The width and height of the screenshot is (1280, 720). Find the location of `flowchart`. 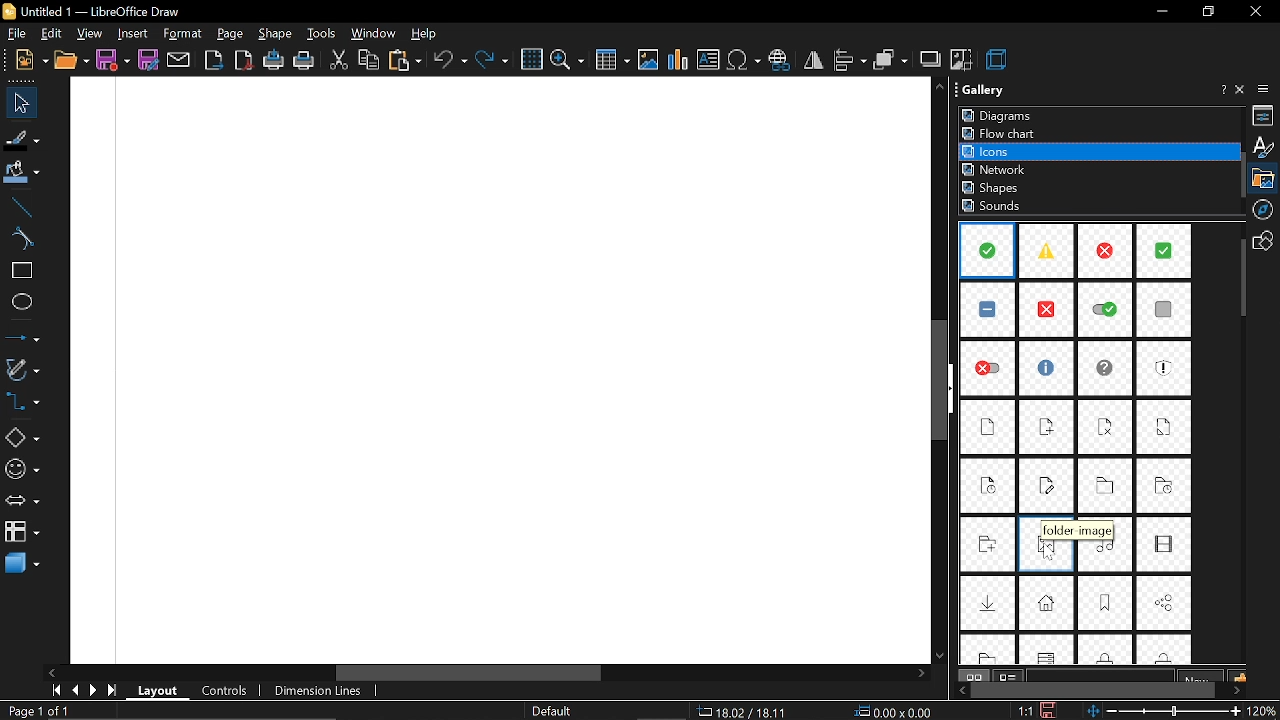

flowchart is located at coordinates (20, 532).